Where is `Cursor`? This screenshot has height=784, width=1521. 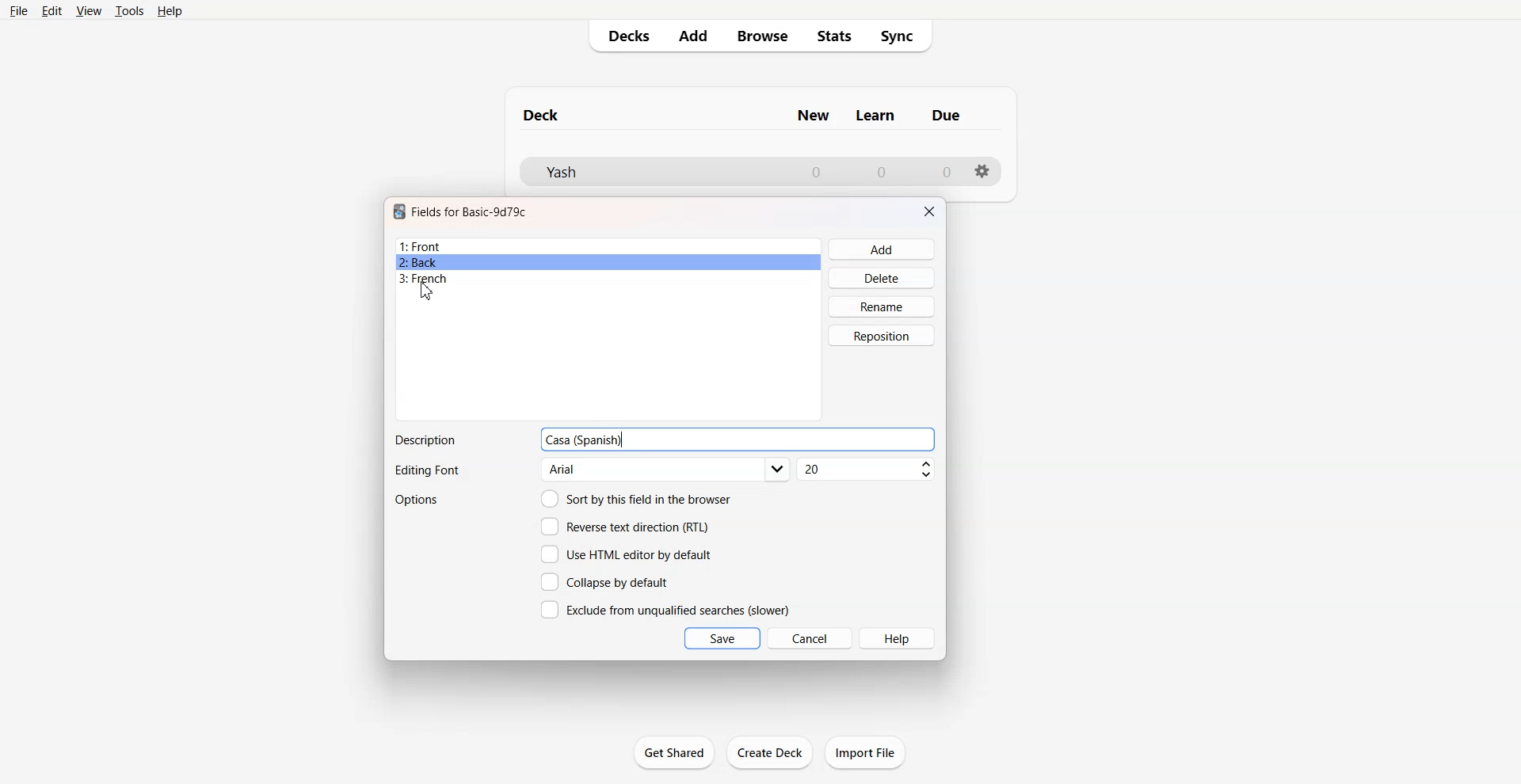
Cursor is located at coordinates (426, 291).